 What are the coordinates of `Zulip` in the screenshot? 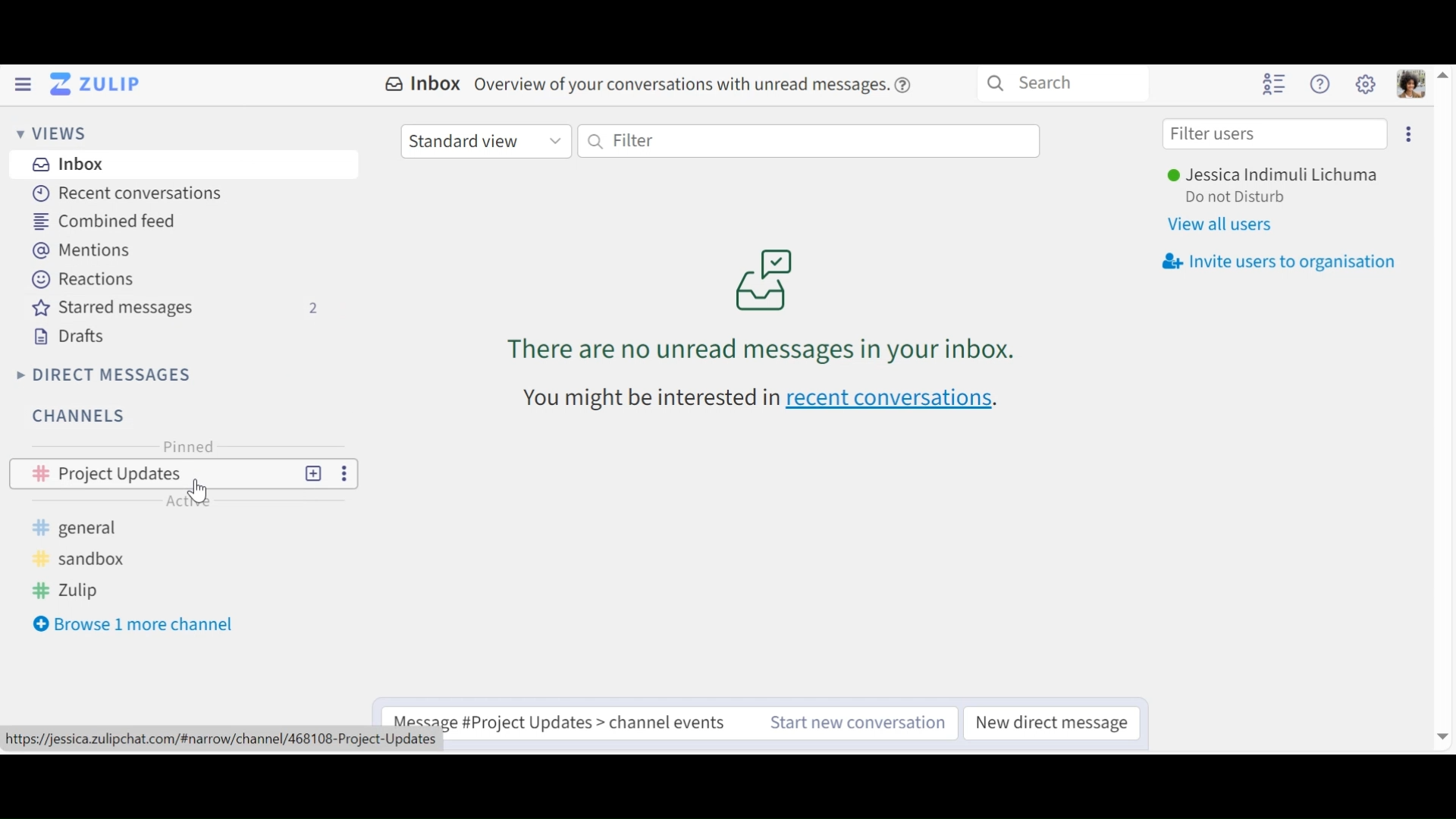 It's located at (71, 593).